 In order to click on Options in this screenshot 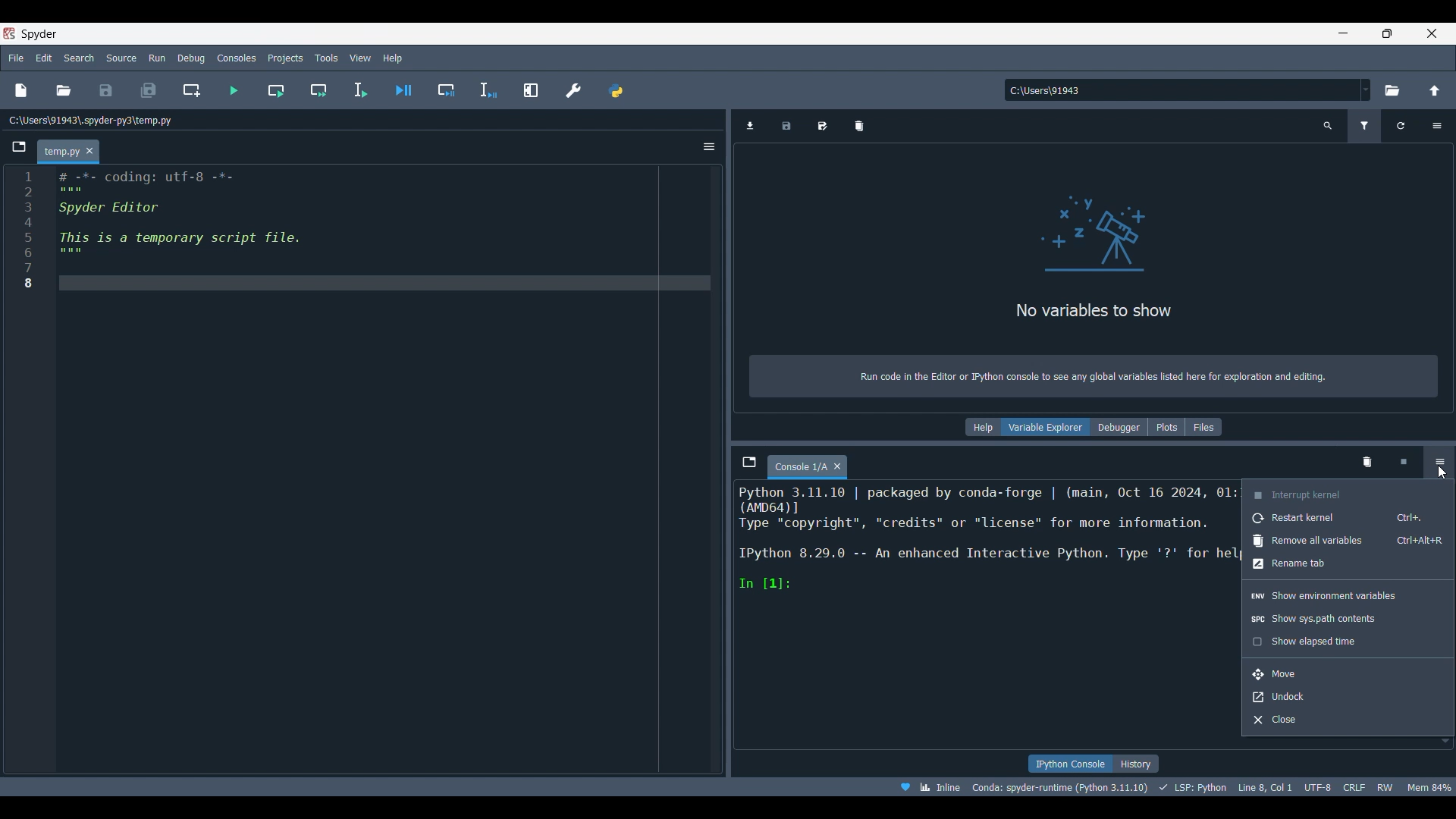, I will do `click(709, 146)`.